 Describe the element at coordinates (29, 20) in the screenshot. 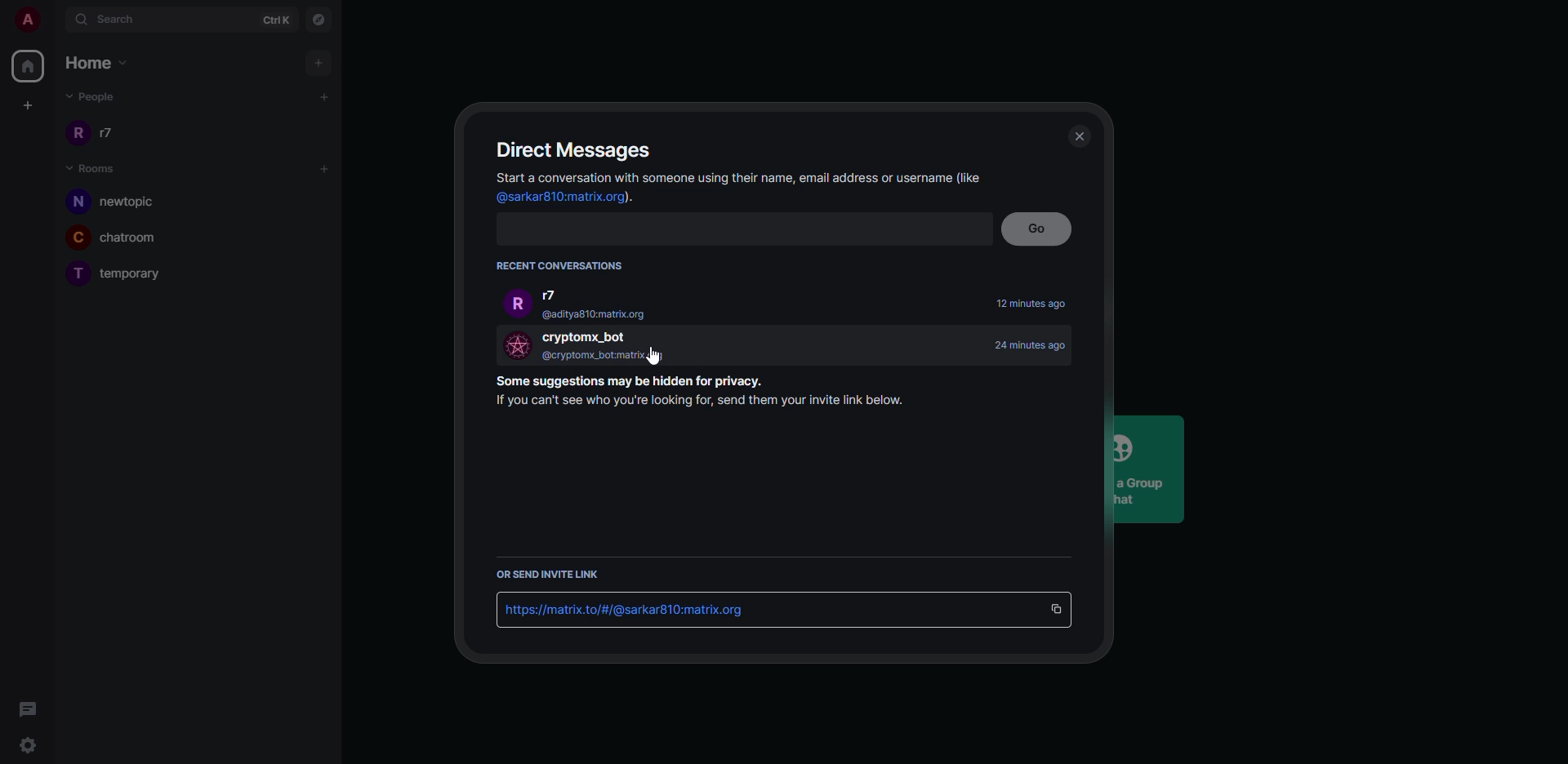

I see `account` at that location.